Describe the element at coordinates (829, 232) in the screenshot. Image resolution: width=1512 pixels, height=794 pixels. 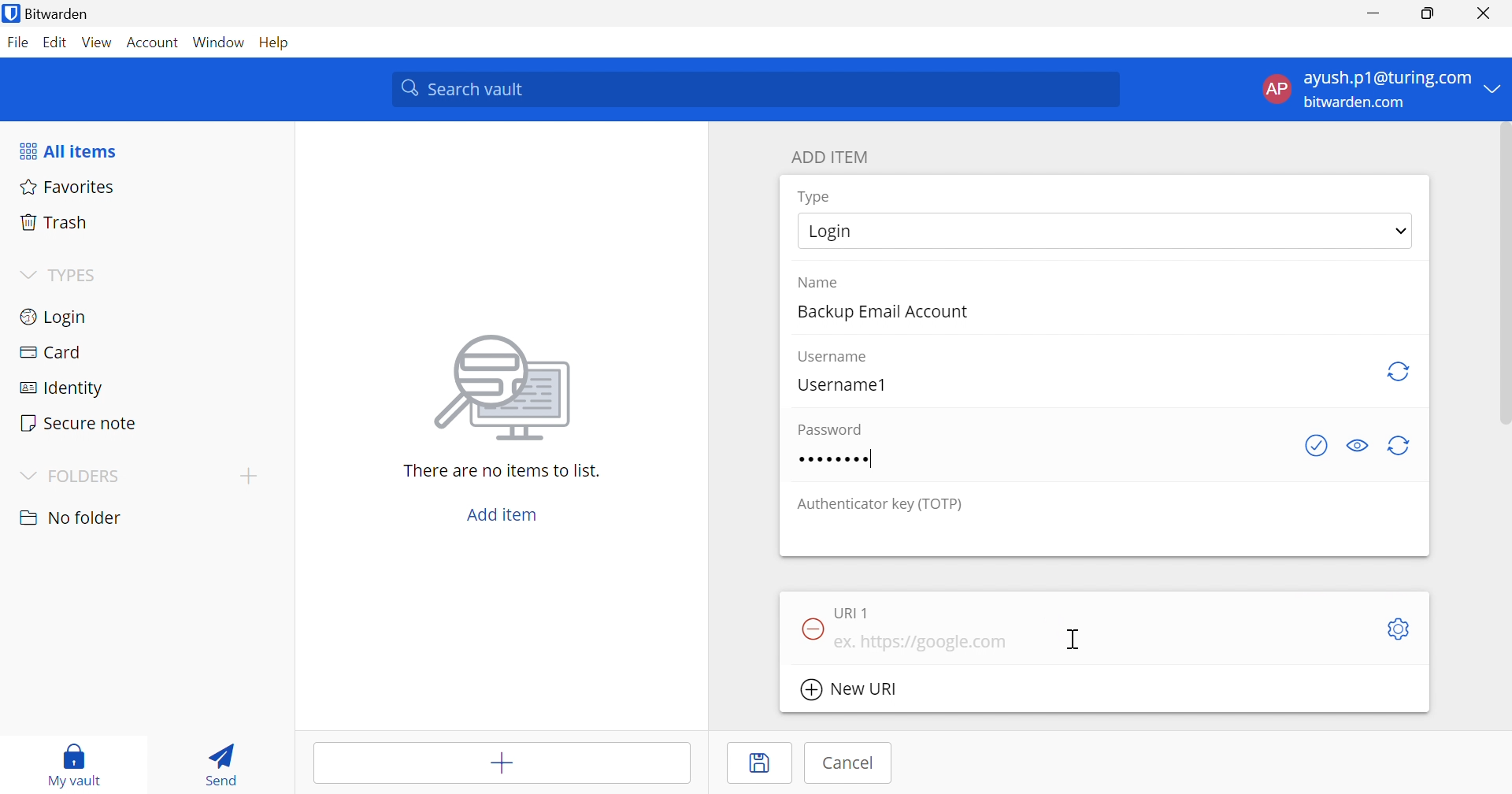
I see `Login` at that location.